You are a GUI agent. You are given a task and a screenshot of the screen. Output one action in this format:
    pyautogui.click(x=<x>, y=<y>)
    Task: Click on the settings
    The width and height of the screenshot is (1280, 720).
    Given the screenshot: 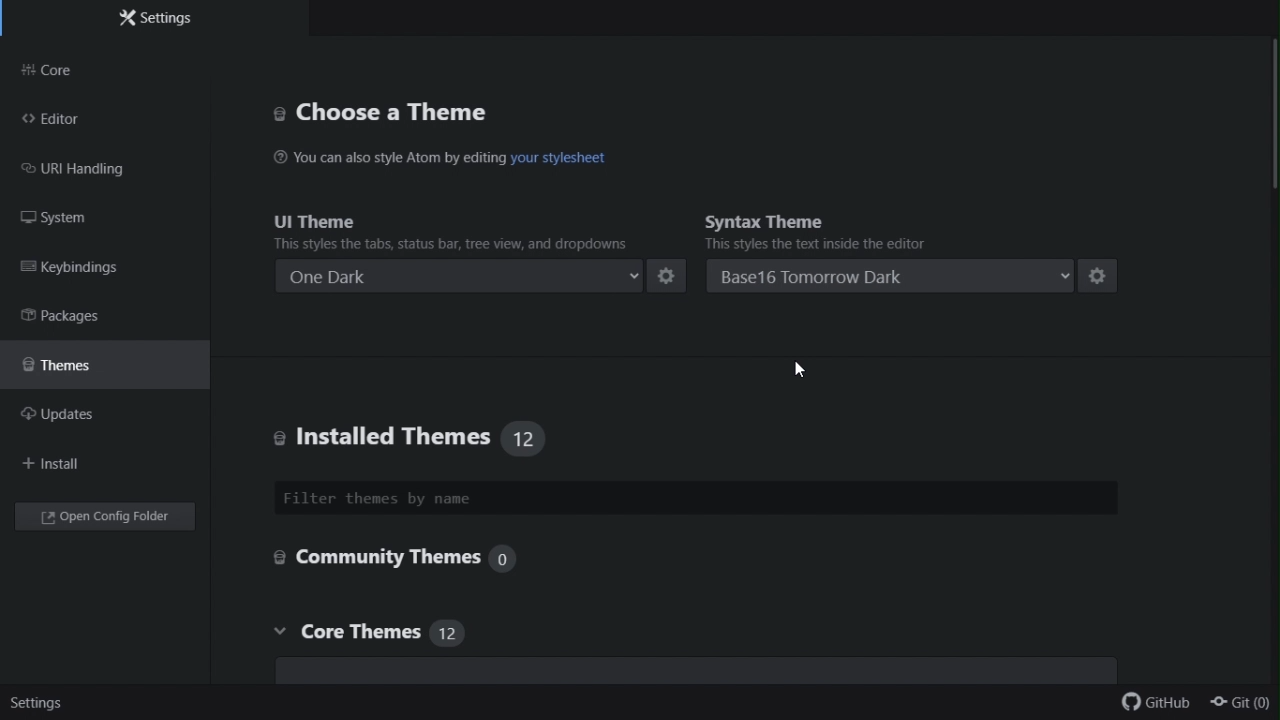 What is the action you would take?
    pyautogui.click(x=42, y=706)
    